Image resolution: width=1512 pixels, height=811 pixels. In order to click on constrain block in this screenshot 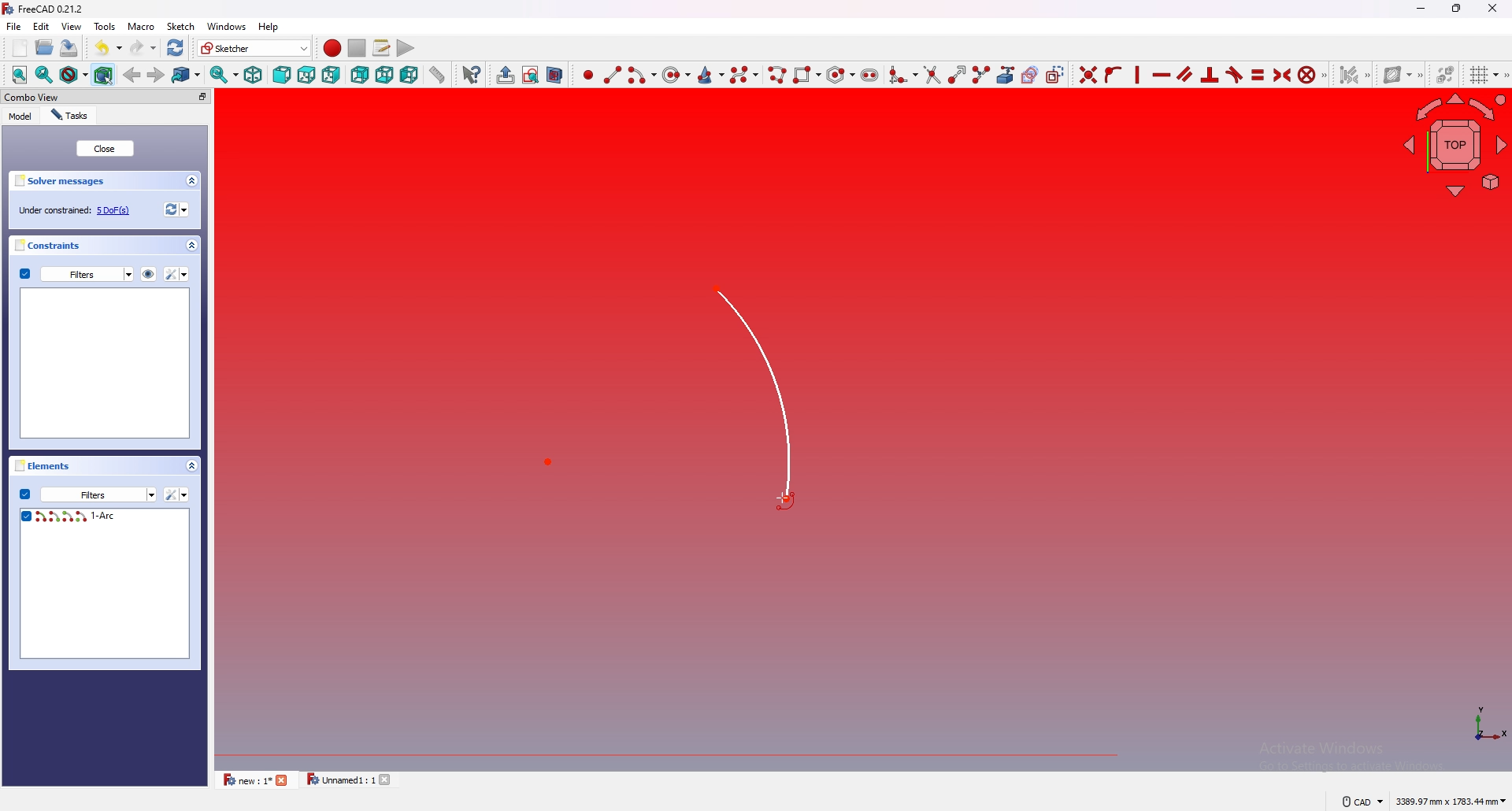, I will do `click(1314, 73)`.